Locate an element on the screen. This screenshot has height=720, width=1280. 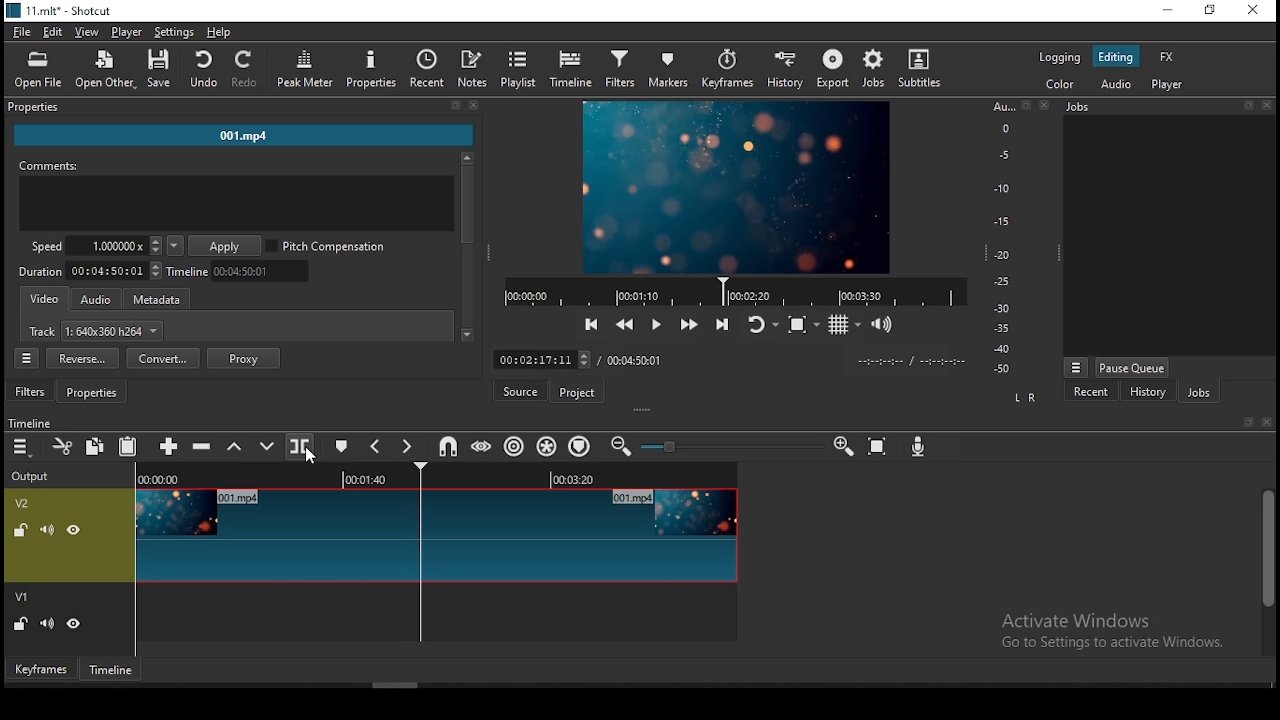
logging is located at coordinates (1060, 56).